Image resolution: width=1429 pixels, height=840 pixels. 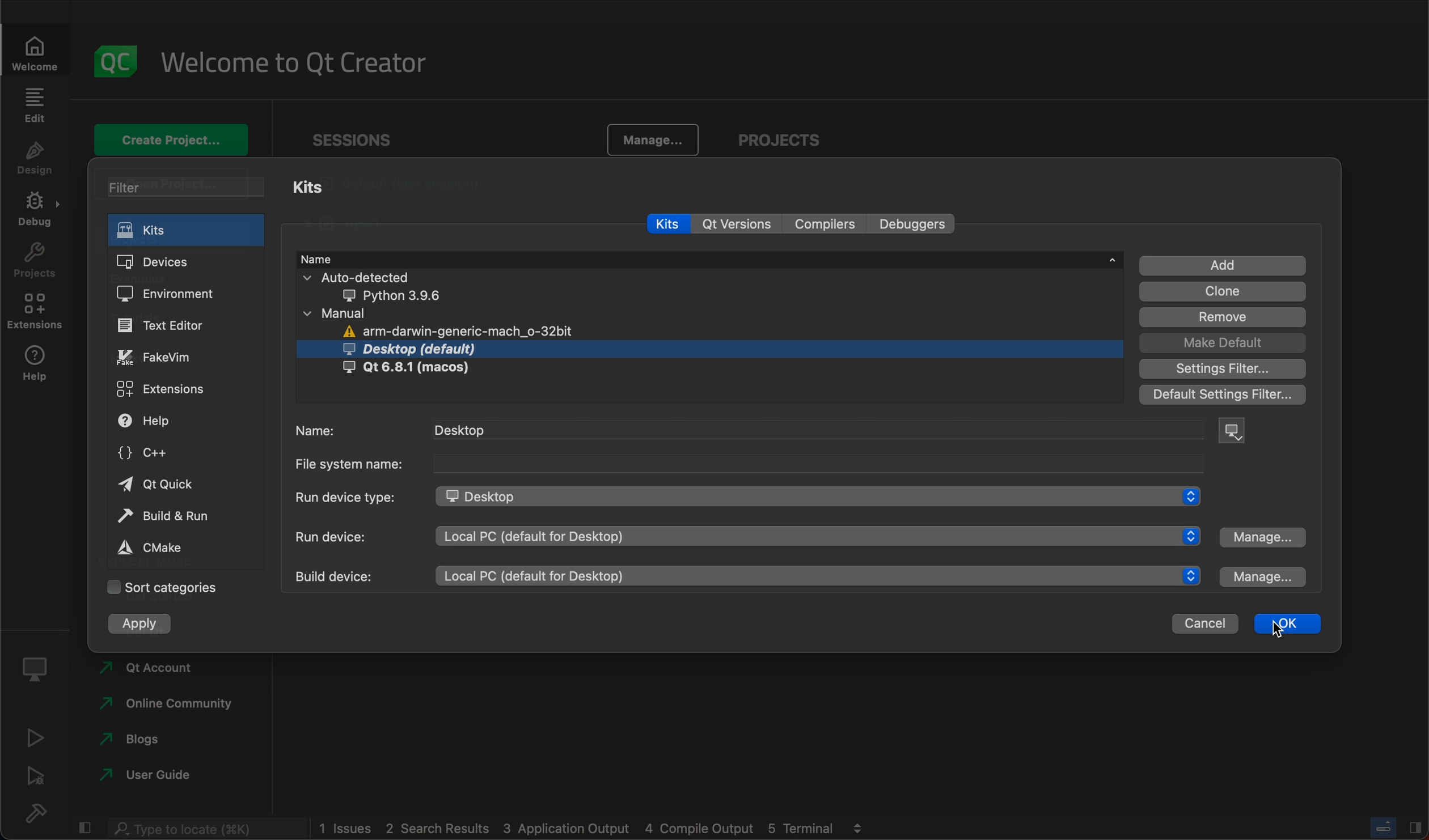 I want to click on help, so click(x=37, y=368).